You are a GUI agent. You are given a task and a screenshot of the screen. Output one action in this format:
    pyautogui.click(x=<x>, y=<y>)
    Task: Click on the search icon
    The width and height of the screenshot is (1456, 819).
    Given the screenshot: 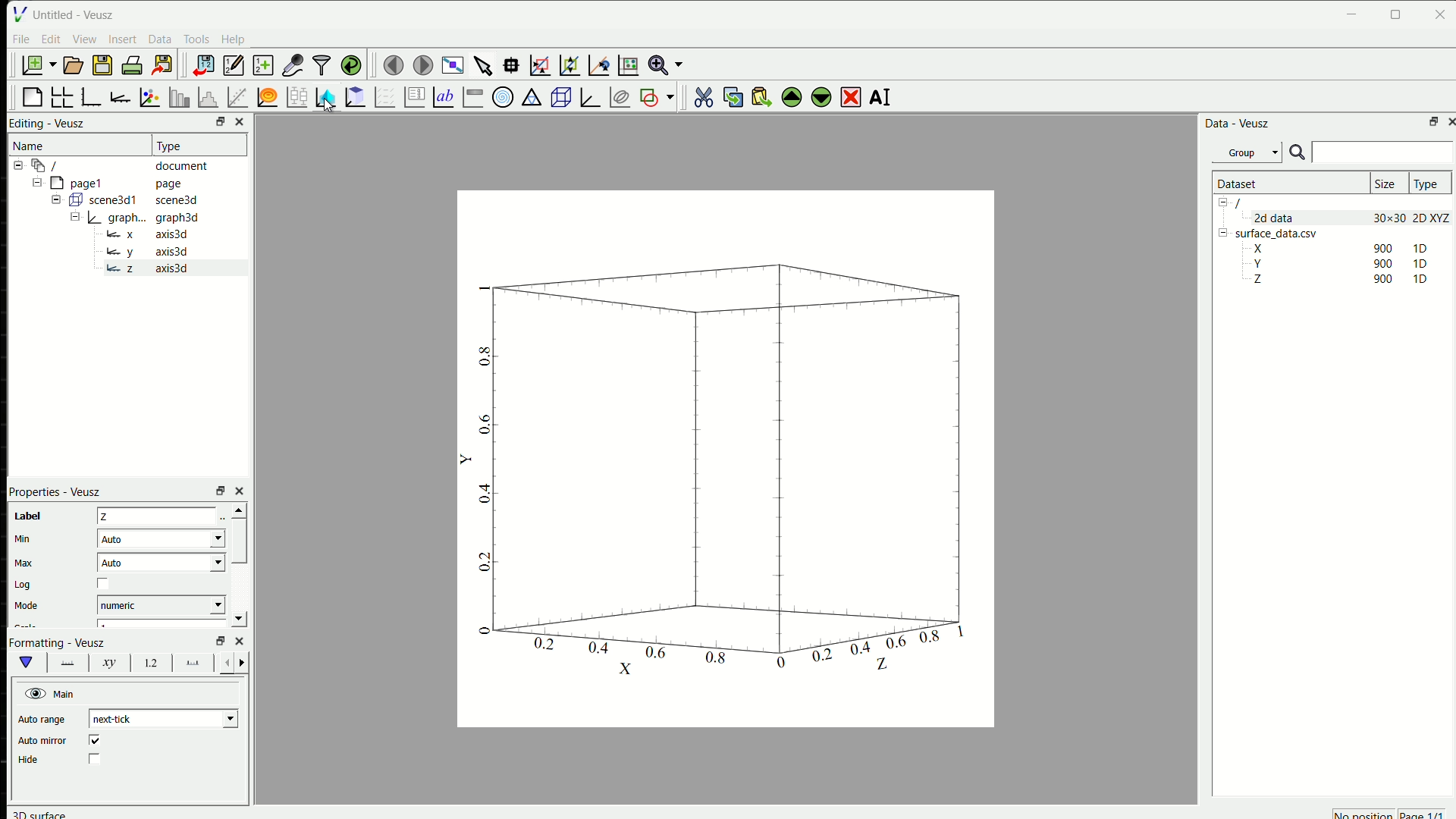 What is the action you would take?
    pyautogui.click(x=1297, y=152)
    